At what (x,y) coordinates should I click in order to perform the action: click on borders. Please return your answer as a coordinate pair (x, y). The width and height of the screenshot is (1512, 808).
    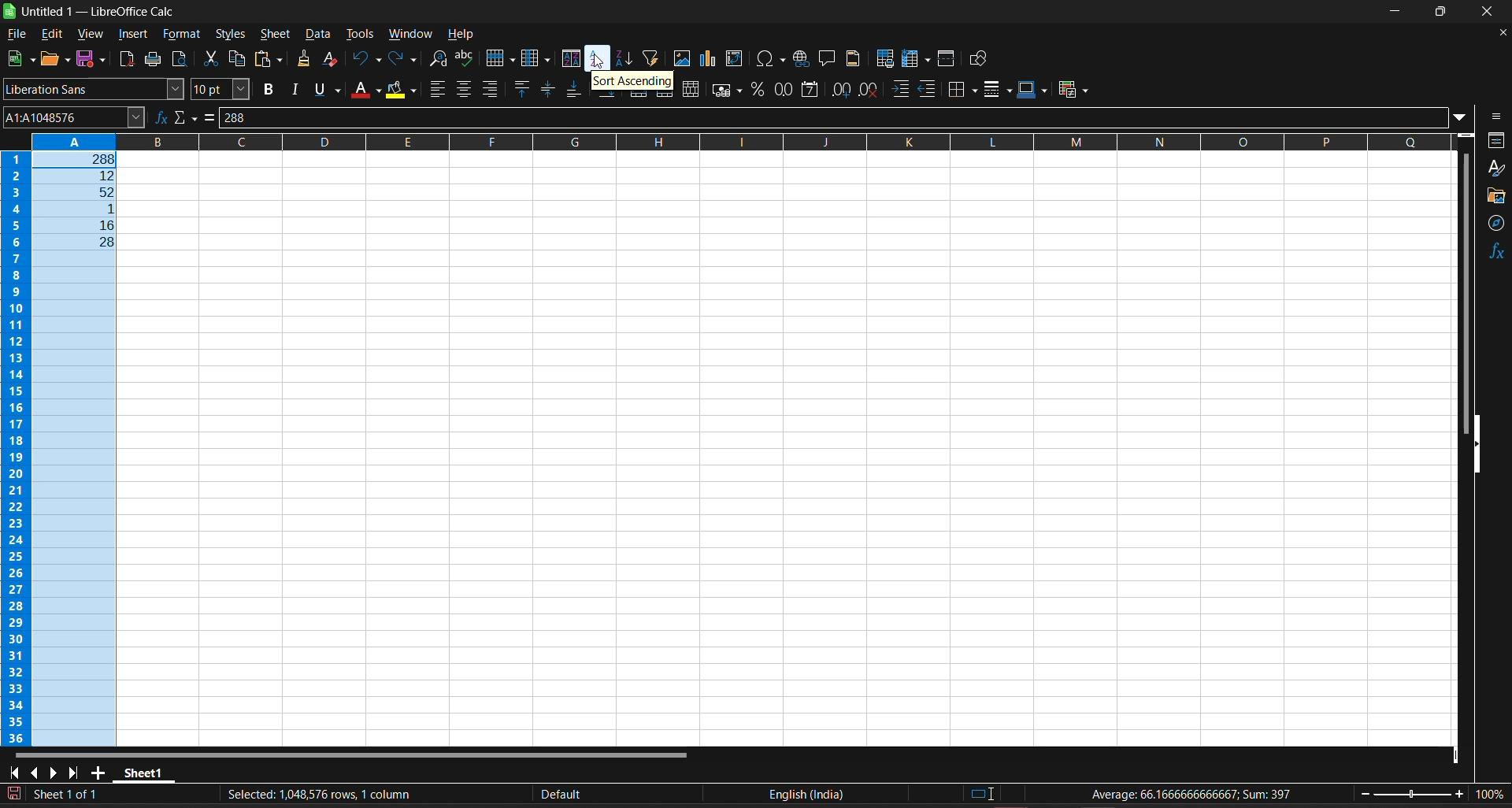
    Looking at the image, I should click on (963, 89).